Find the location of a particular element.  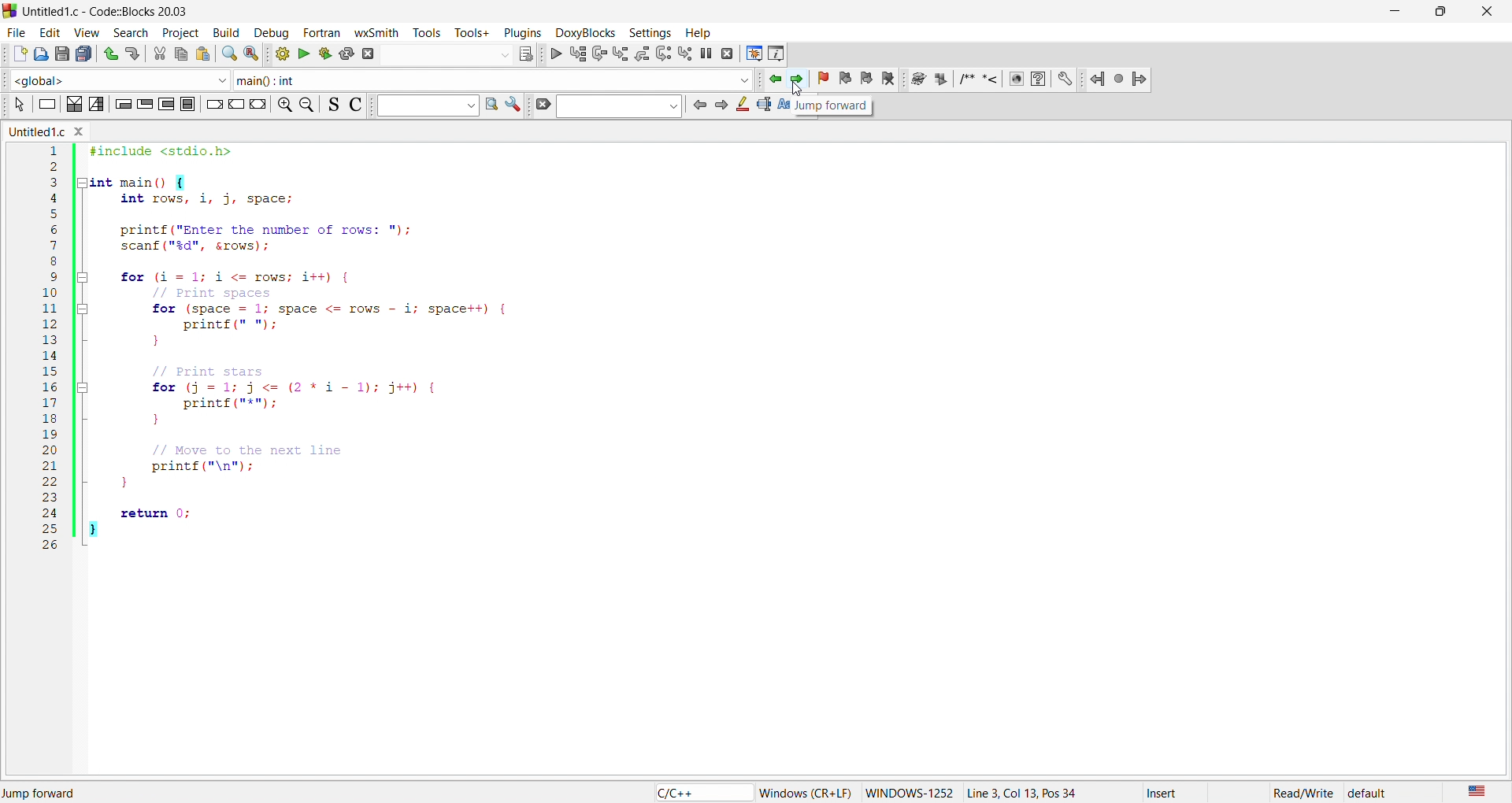

line number is located at coordinates (54, 350).